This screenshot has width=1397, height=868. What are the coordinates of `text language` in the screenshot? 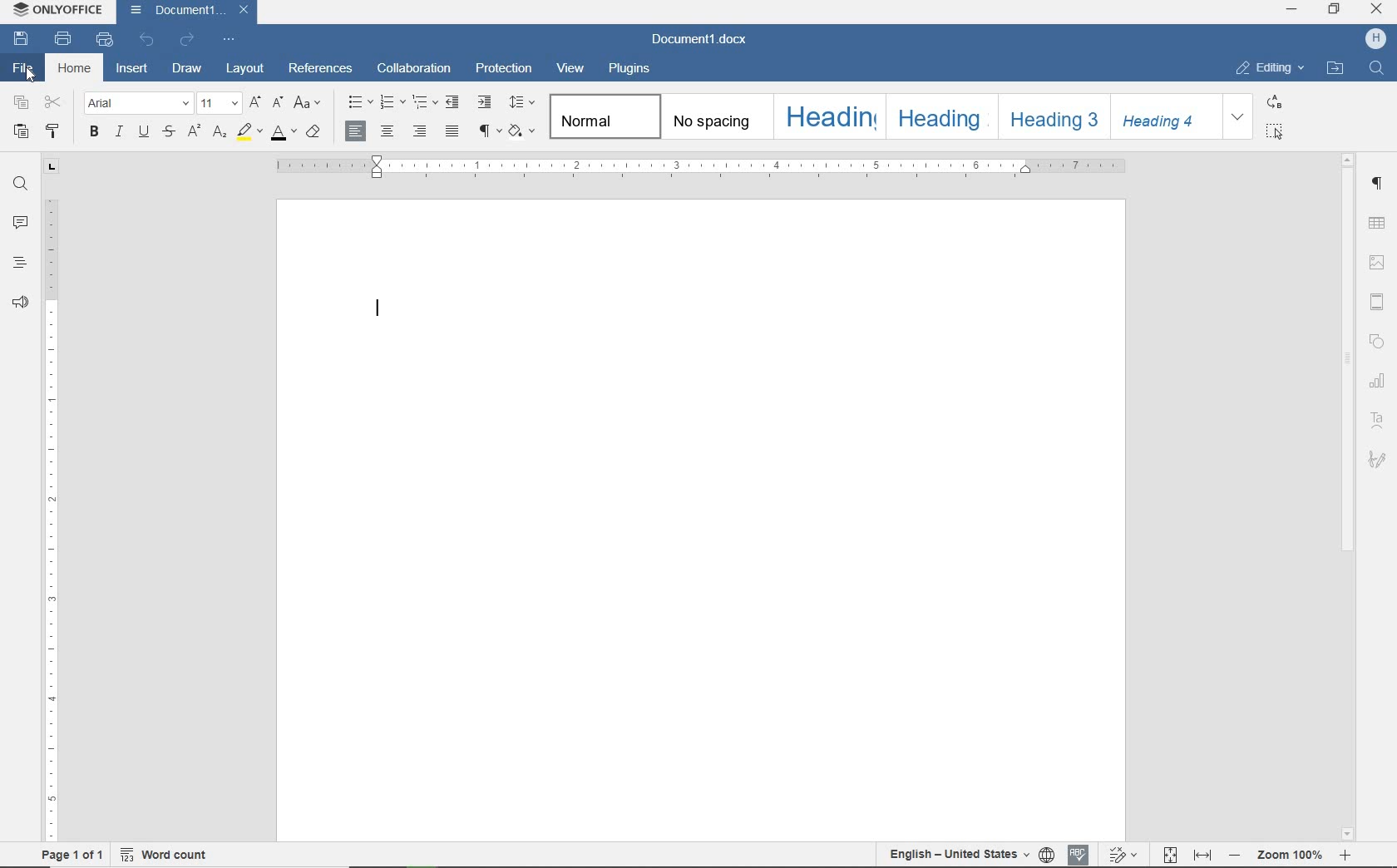 It's located at (957, 852).